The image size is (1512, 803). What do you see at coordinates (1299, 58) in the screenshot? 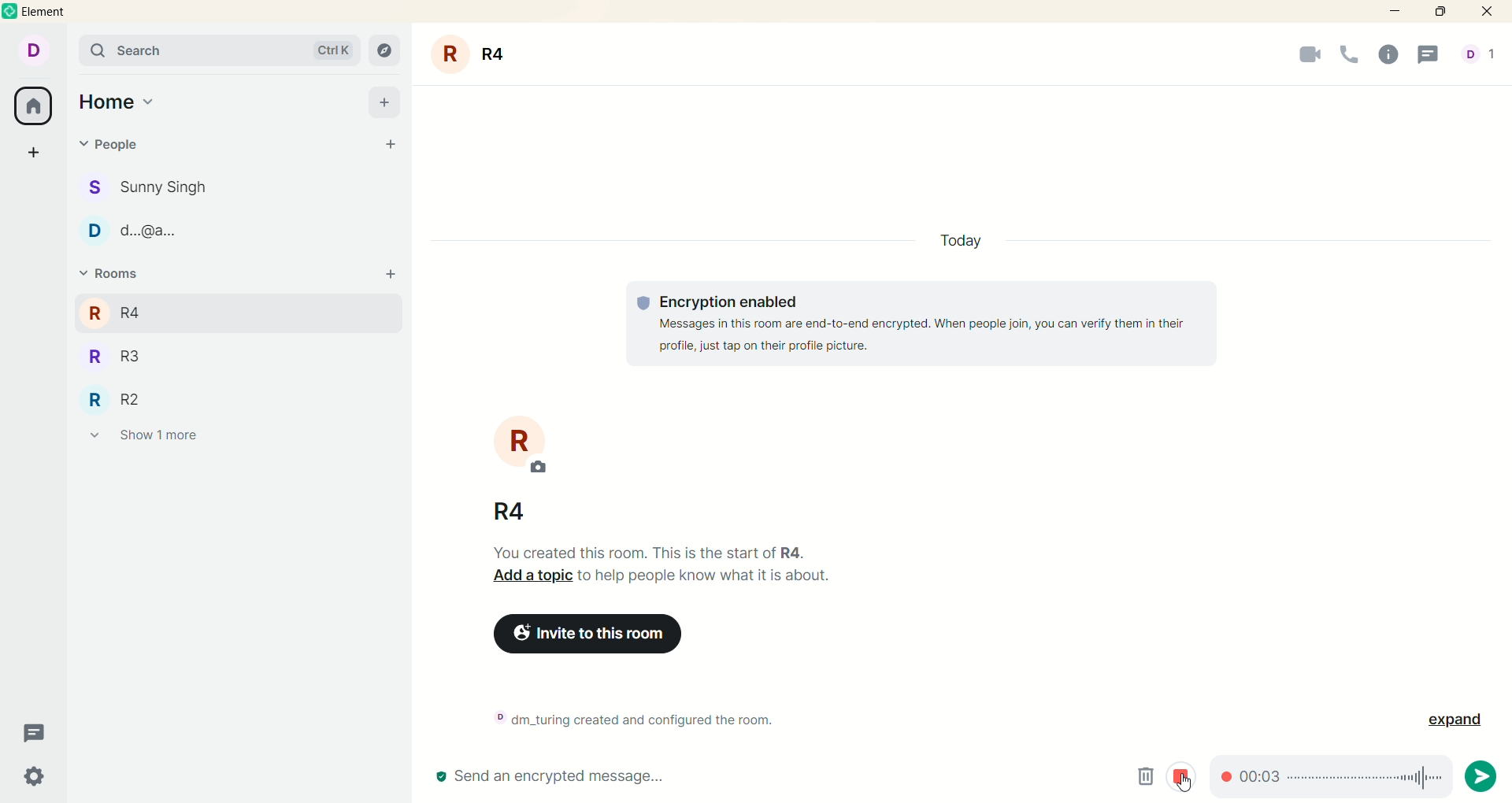
I see `video call` at bounding box center [1299, 58].